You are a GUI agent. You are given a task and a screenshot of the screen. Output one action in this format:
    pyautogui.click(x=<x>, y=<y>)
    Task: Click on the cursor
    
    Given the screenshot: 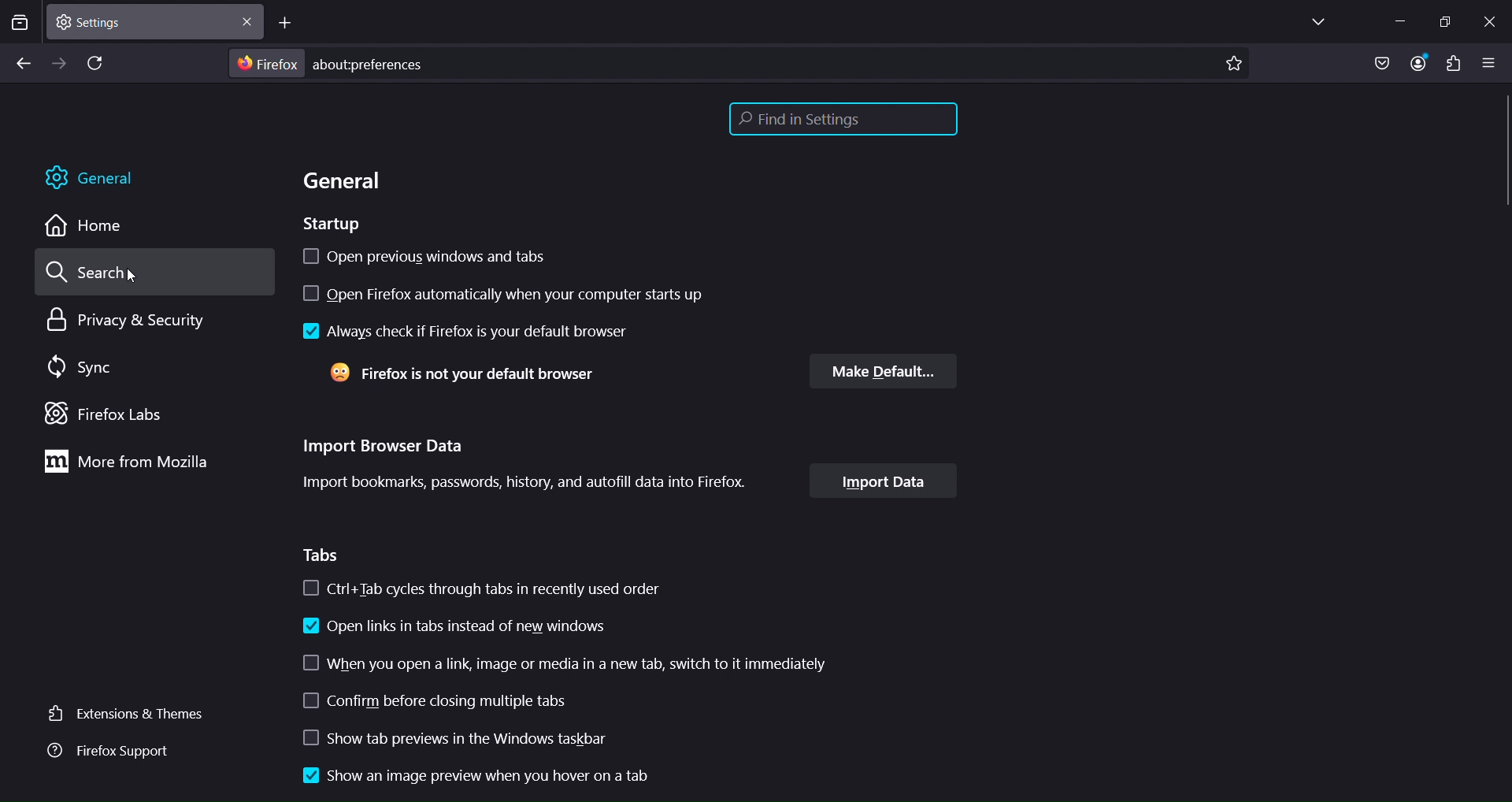 What is the action you would take?
    pyautogui.click(x=129, y=275)
    